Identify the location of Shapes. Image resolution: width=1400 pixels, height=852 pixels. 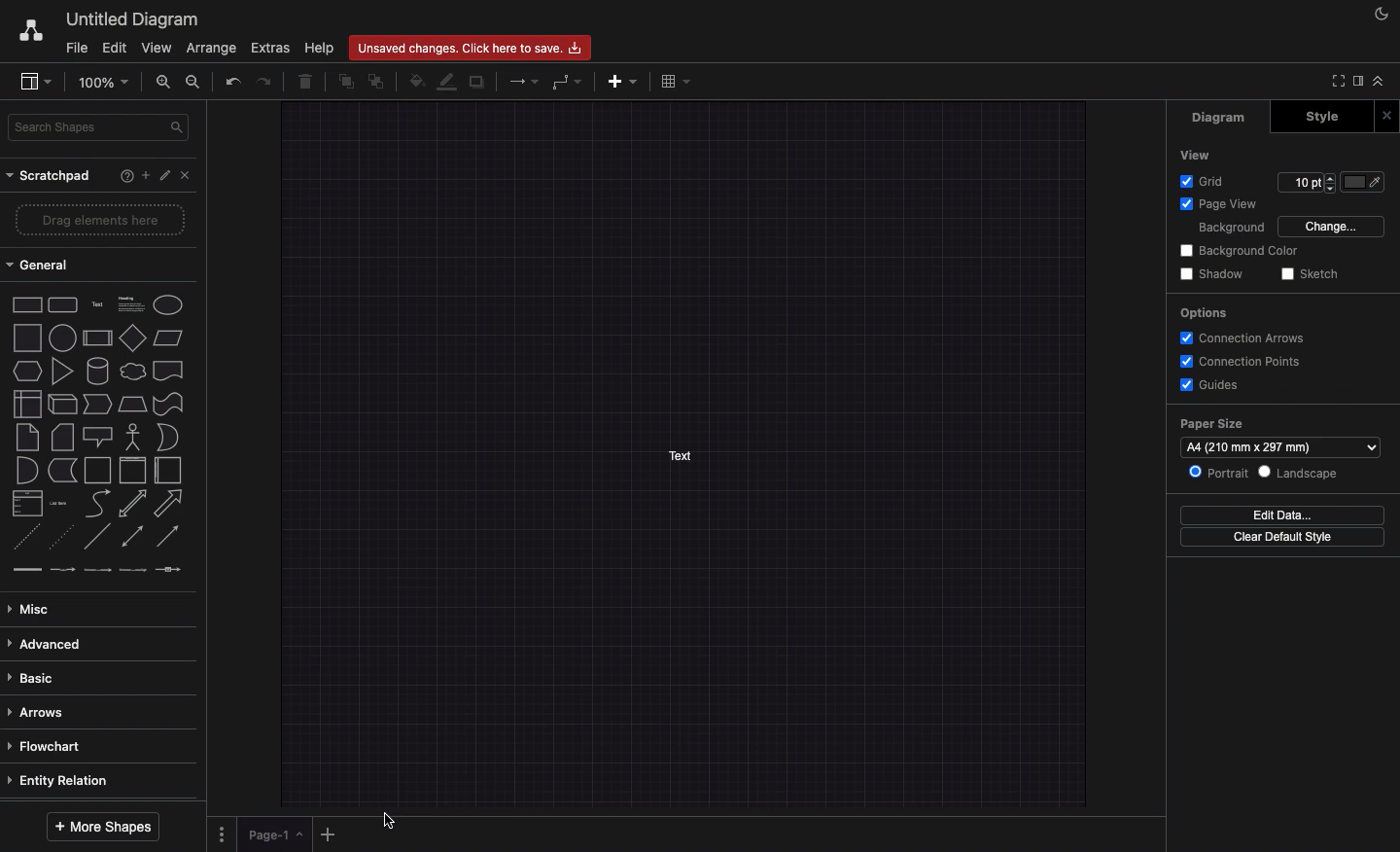
(97, 436).